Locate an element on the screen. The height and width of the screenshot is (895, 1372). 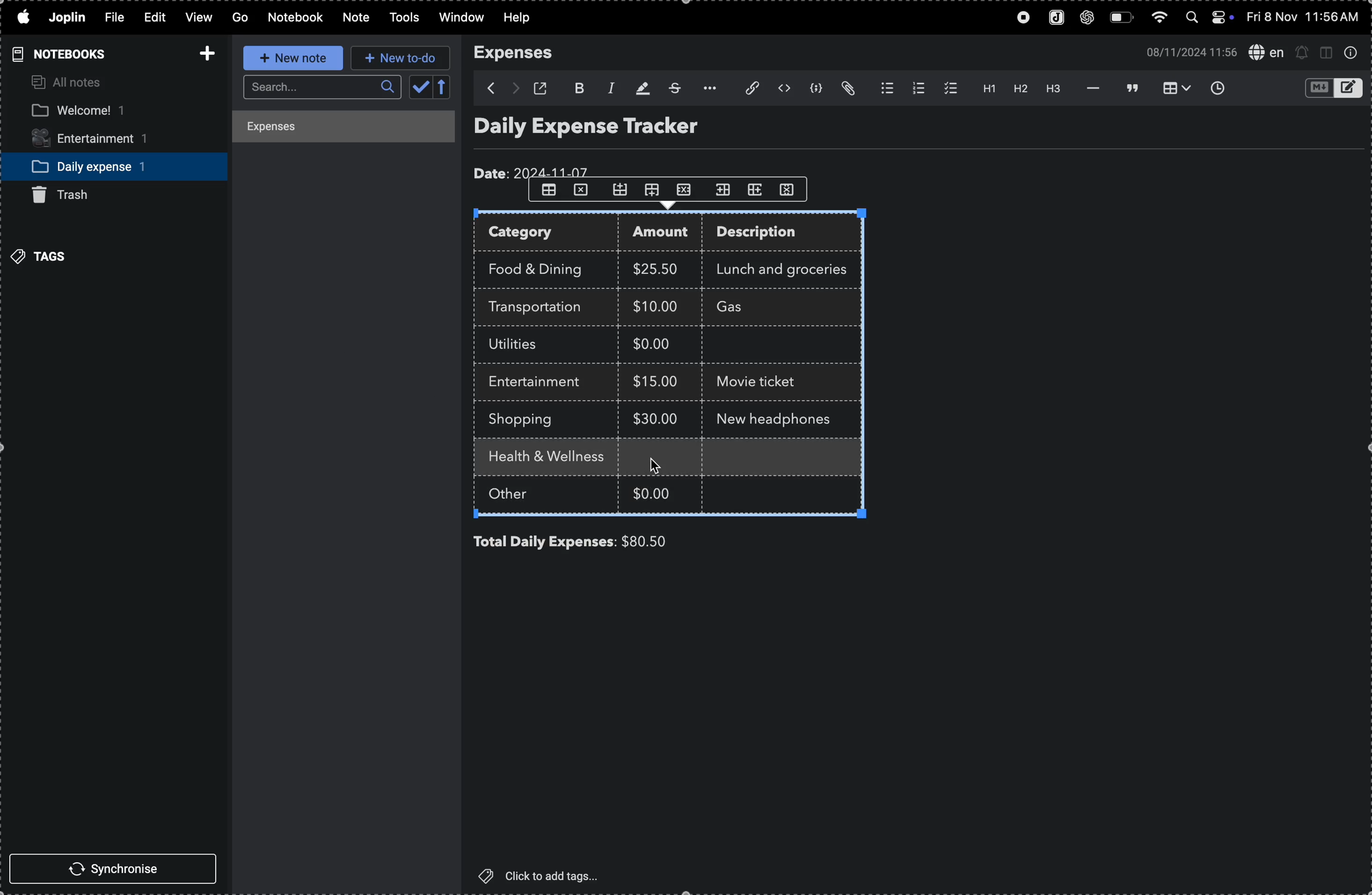
checklist is located at coordinates (948, 88).